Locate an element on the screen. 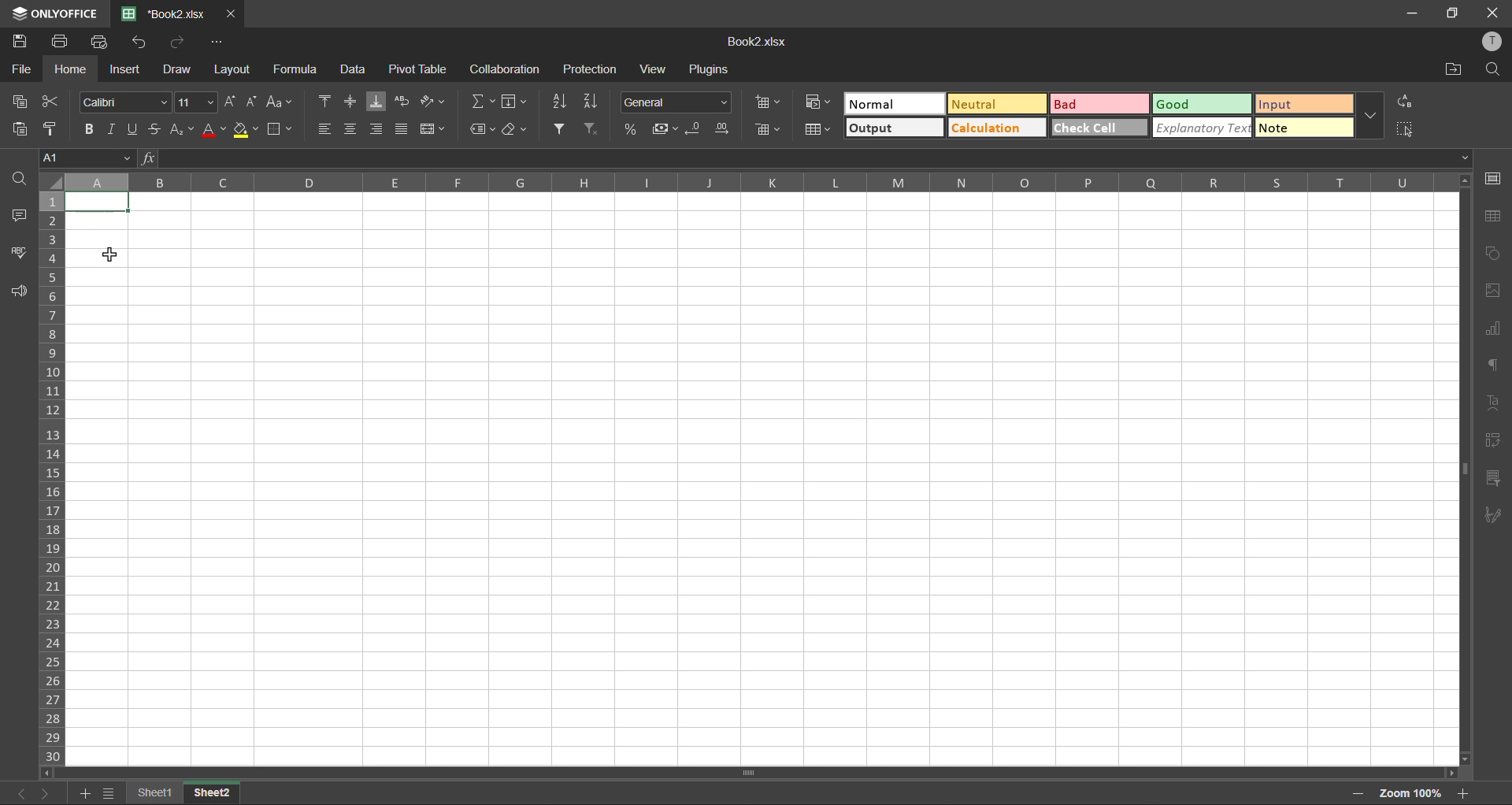 This screenshot has width=1512, height=805. book2.xlsx is located at coordinates (162, 13).